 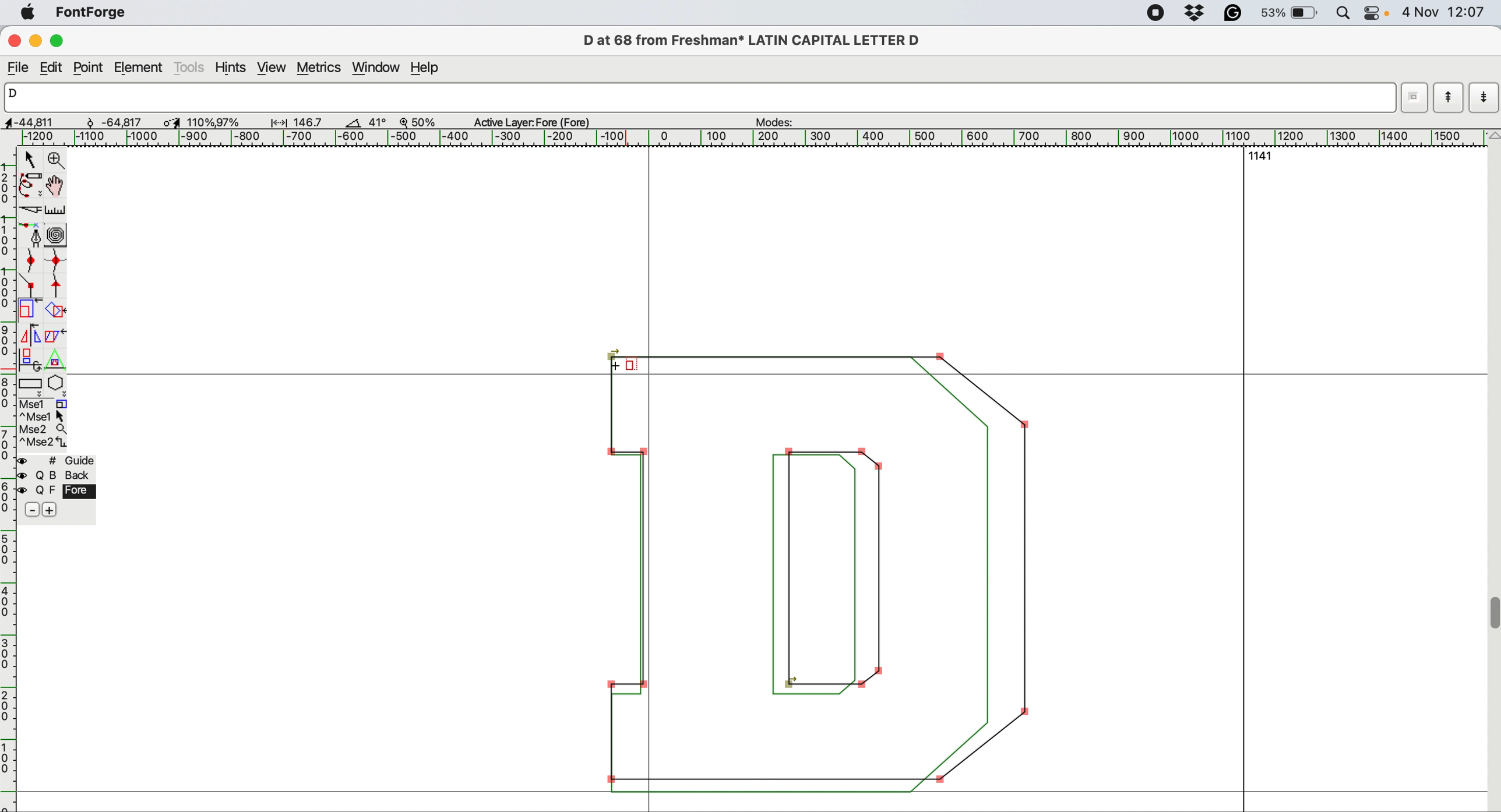 What do you see at coordinates (44, 443) in the screenshot?
I see `^Mse2` at bounding box center [44, 443].